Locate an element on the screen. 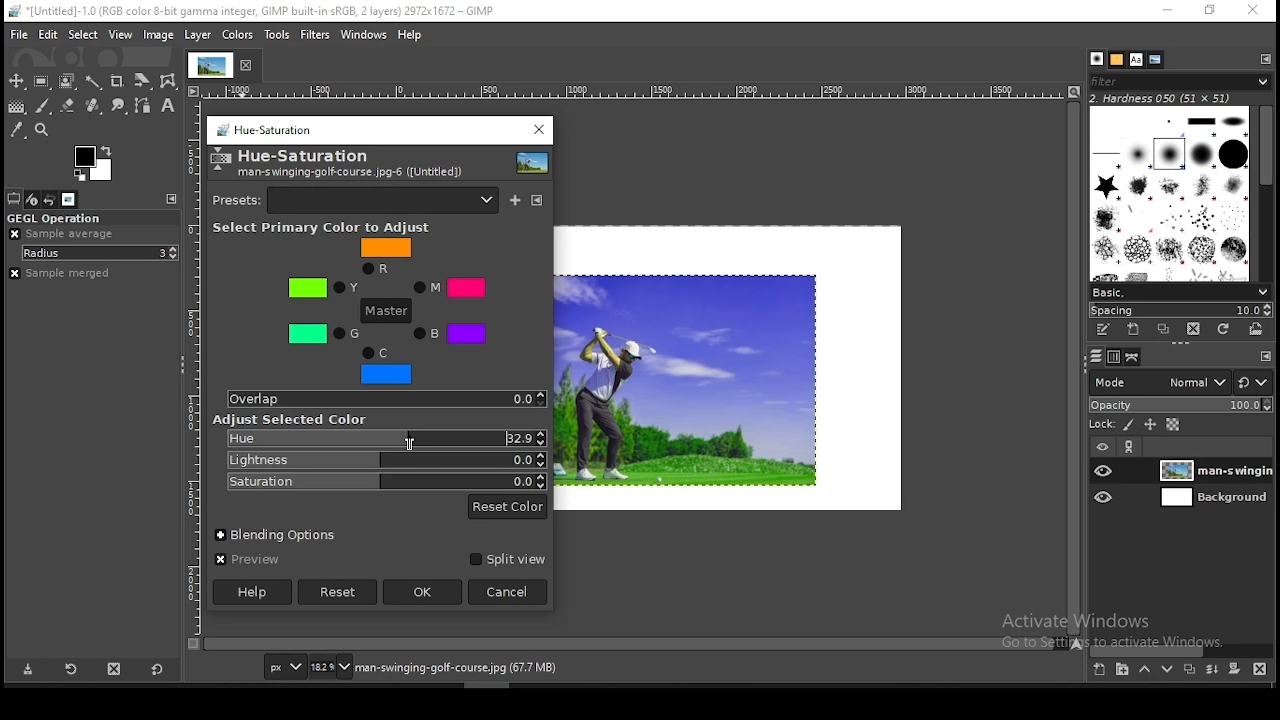 The image size is (1280, 720). edit is located at coordinates (48, 34).